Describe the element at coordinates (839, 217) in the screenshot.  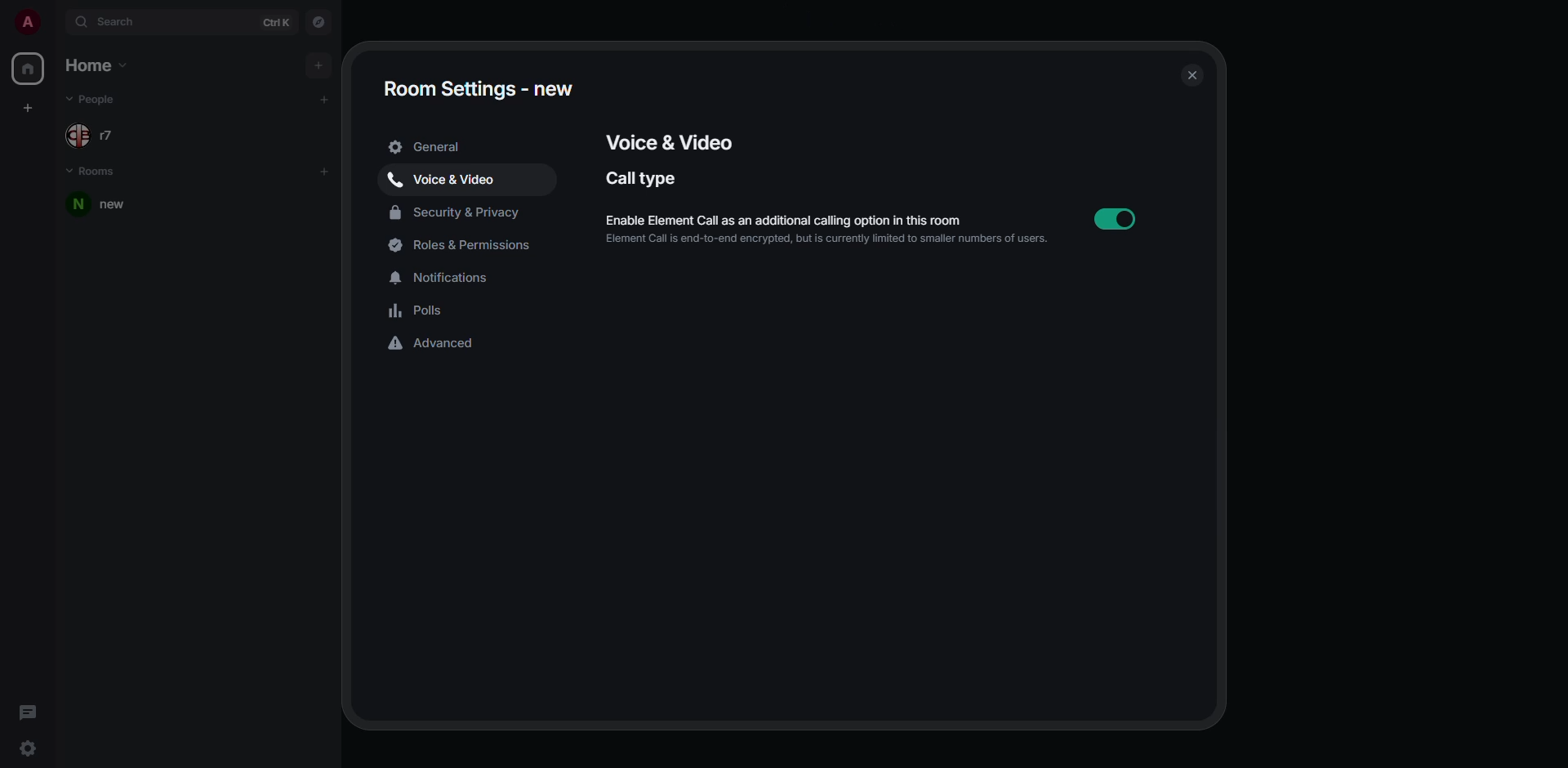
I see `enable element call as an additional calling option in this room.` at that location.